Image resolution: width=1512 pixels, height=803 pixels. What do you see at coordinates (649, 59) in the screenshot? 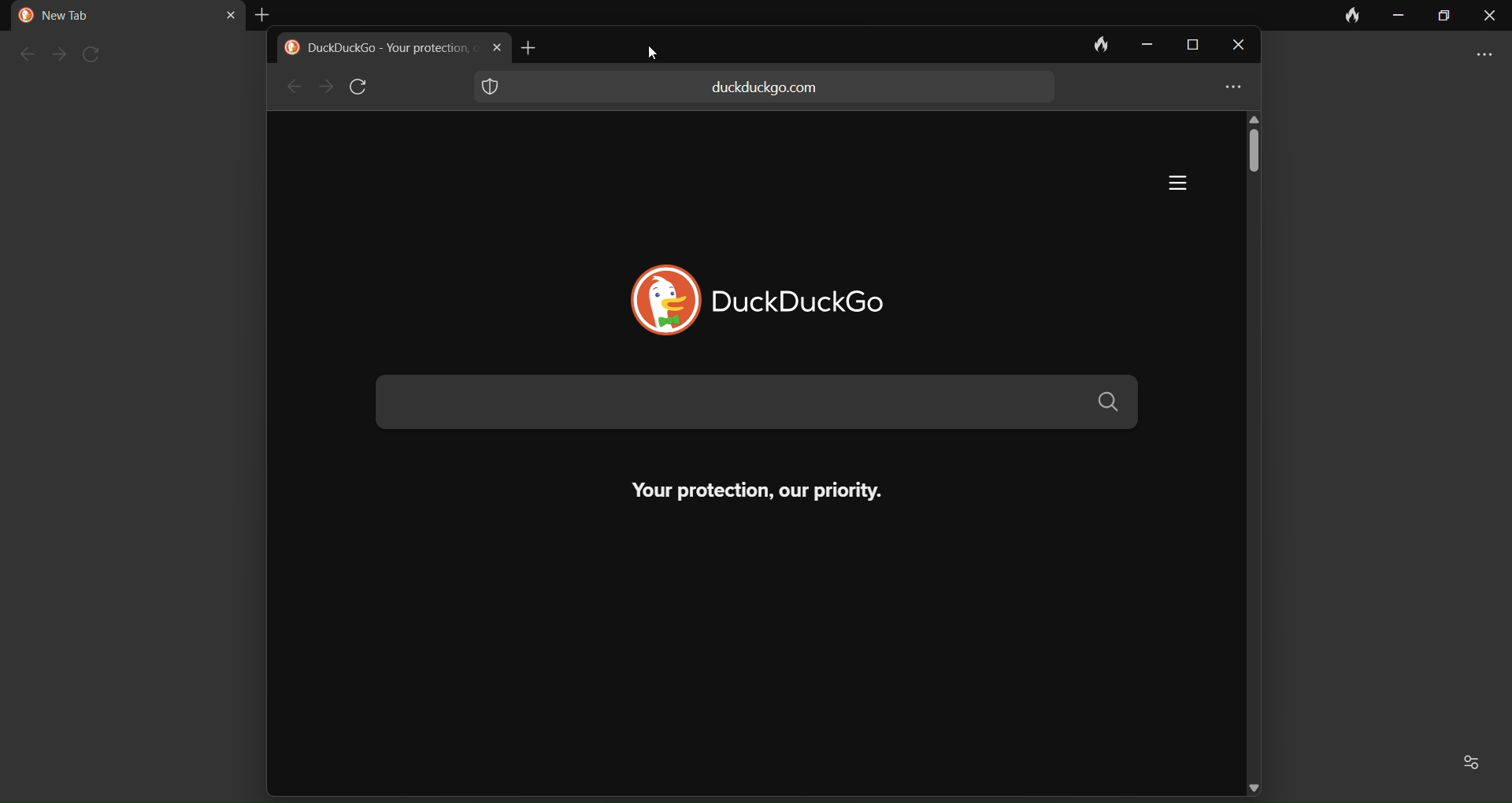
I see `cursor` at bounding box center [649, 59].